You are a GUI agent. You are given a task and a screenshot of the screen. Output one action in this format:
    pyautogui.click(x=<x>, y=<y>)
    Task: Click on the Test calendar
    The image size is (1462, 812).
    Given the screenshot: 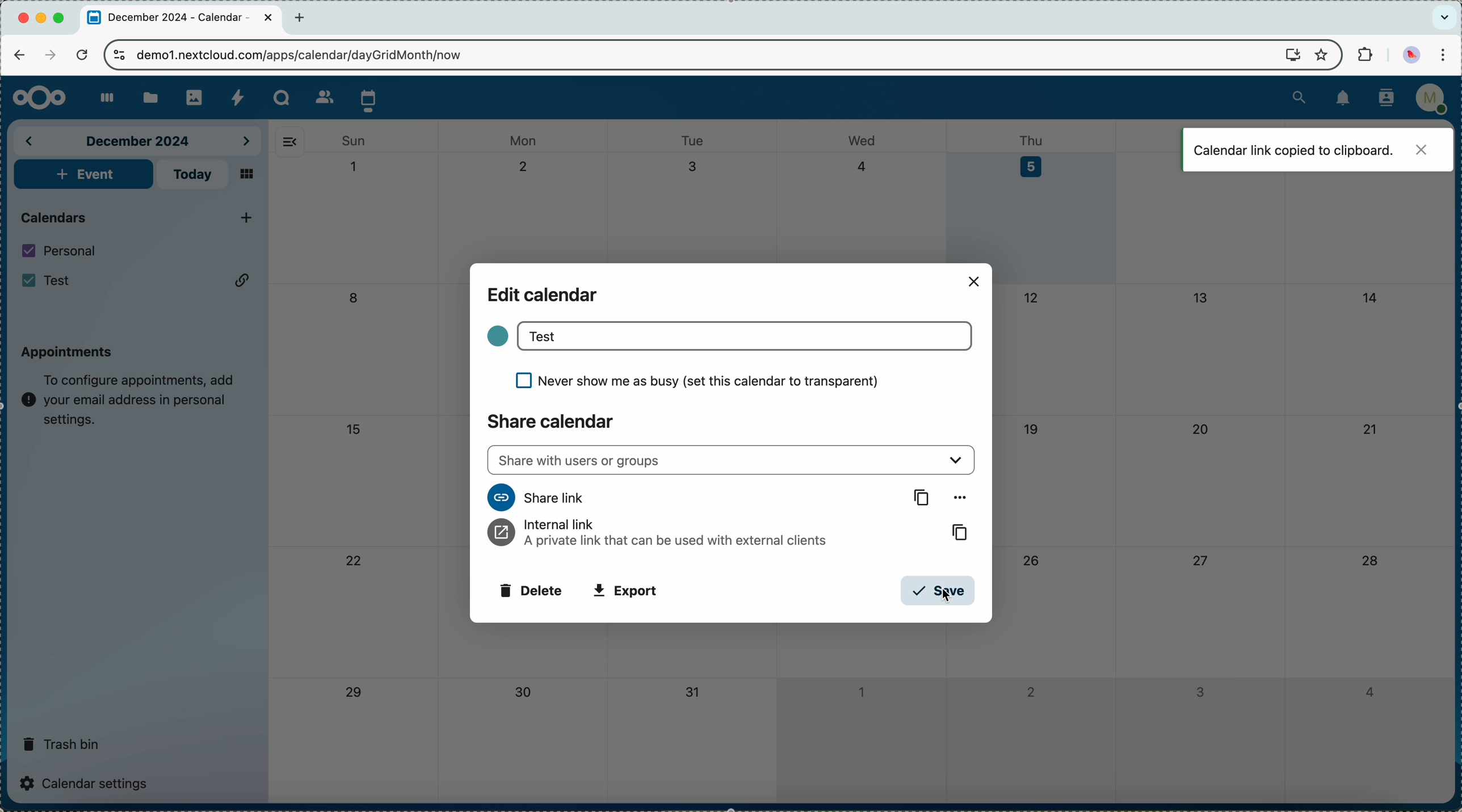 What is the action you would take?
    pyautogui.click(x=139, y=281)
    